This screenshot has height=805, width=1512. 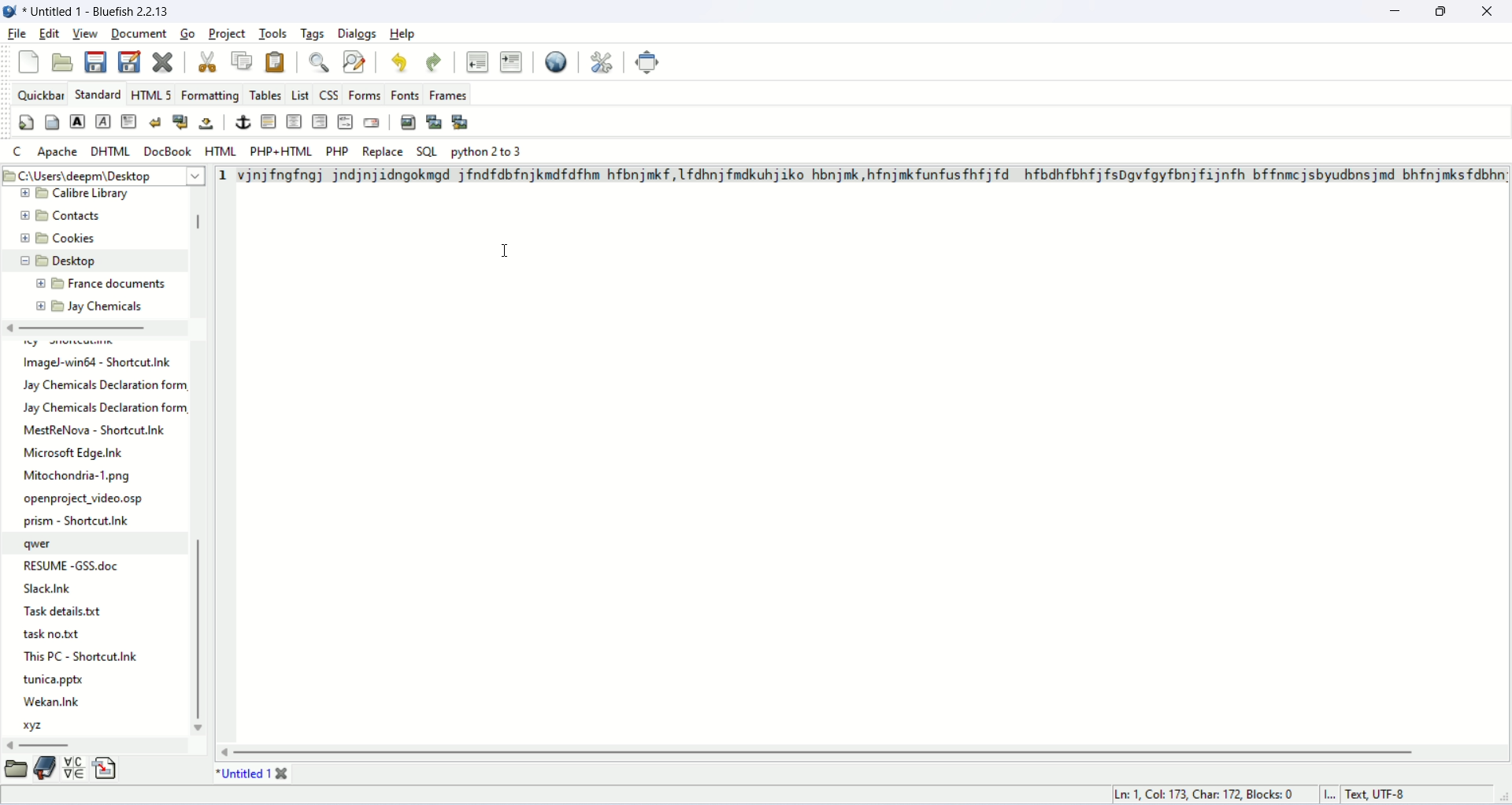 What do you see at coordinates (81, 261) in the screenshot?
I see `Desktop` at bounding box center [81, 261].